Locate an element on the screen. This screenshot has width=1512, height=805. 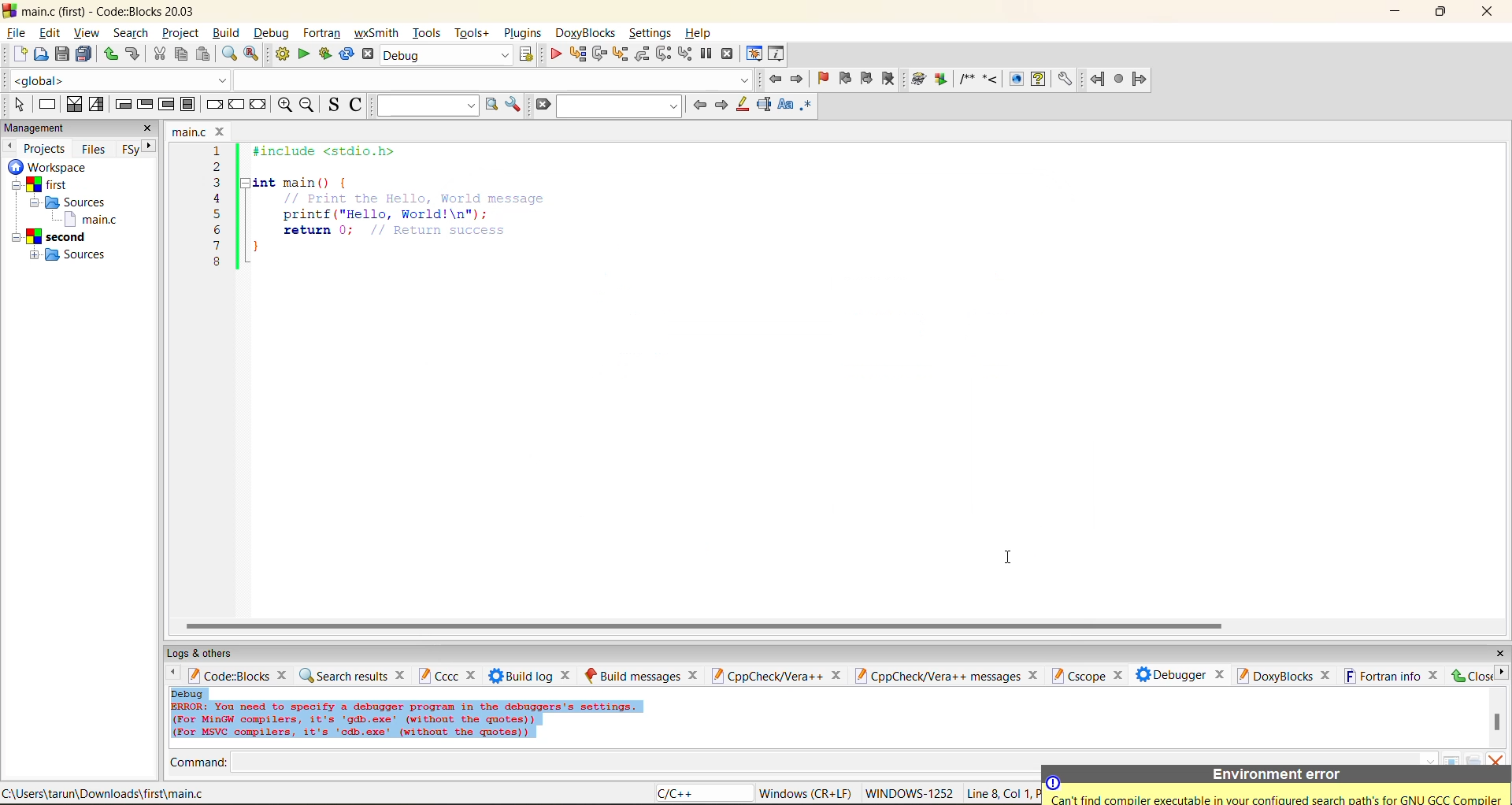
return 0 is located at coordinates (400, 230).